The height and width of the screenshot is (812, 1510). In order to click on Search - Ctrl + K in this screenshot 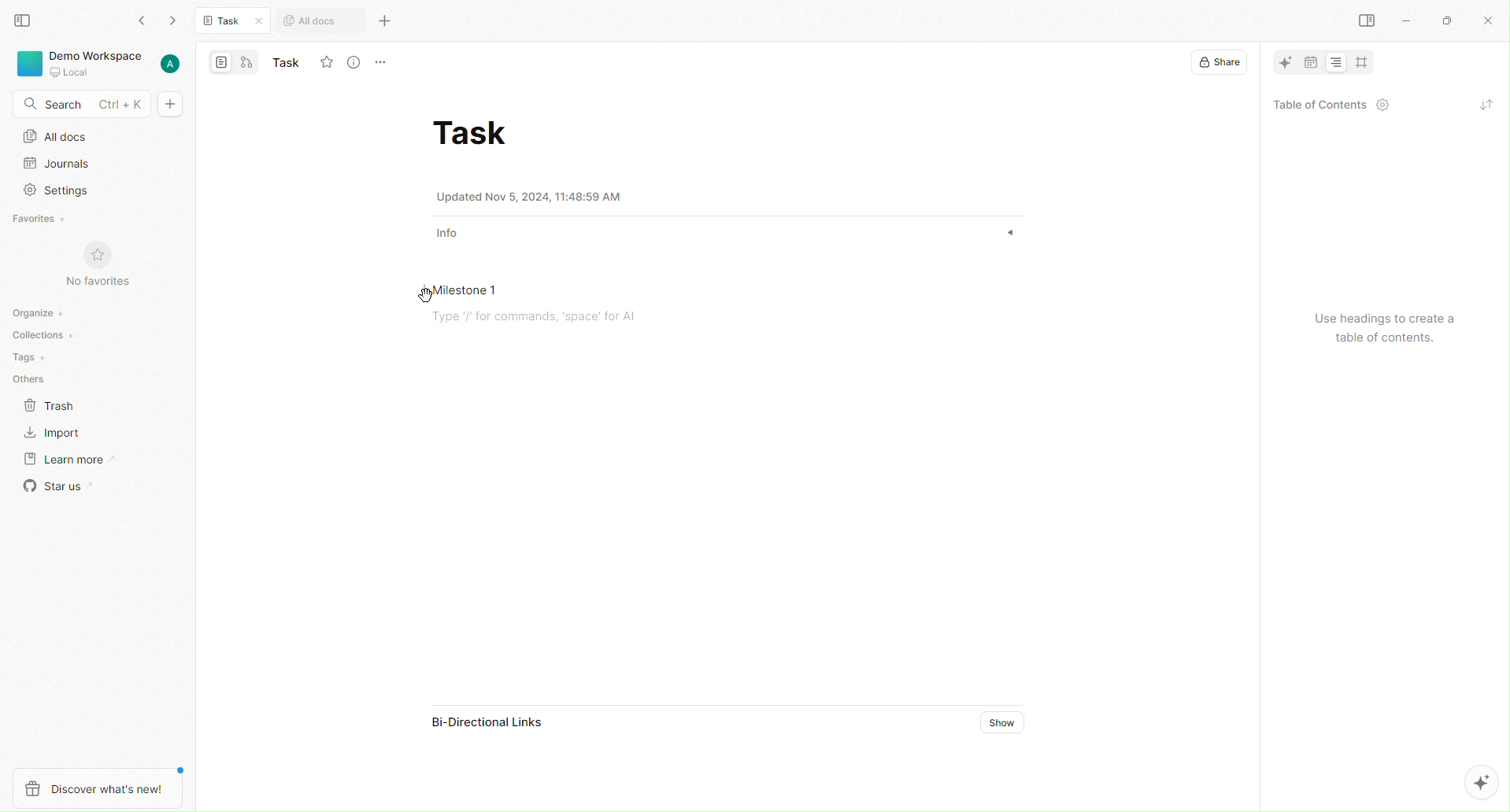, I will do `click(80, 103)`.